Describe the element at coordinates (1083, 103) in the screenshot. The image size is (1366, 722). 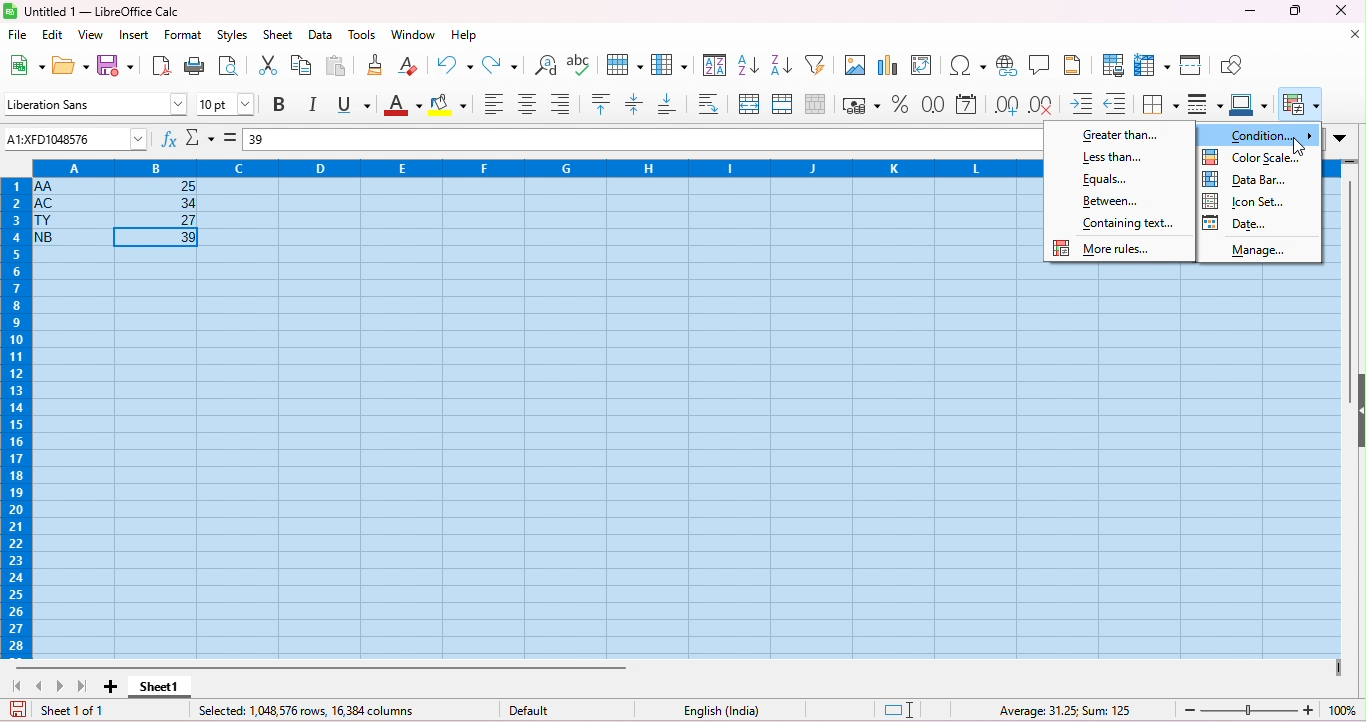
I see `increase indent` at that location.